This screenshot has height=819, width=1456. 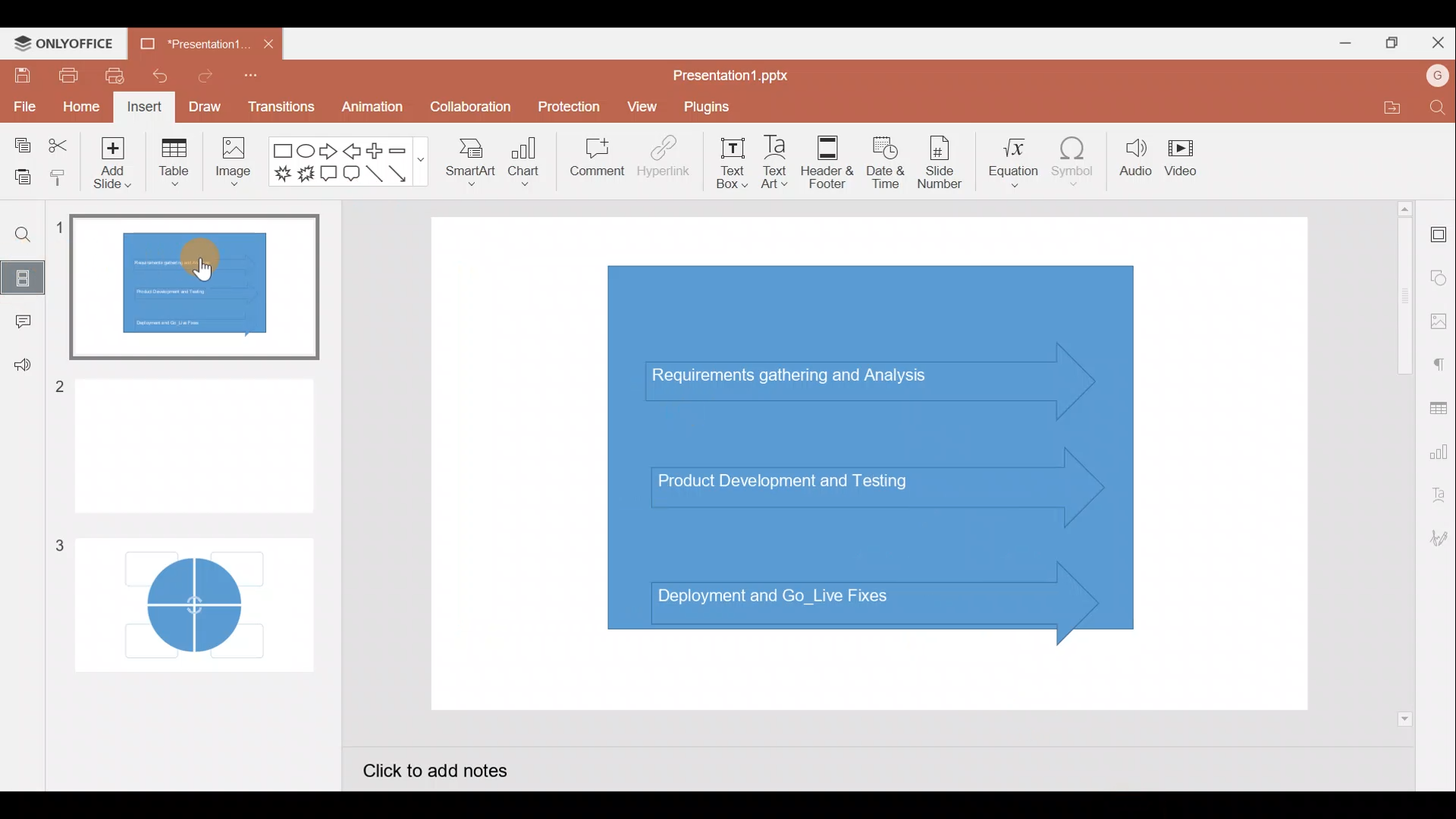 What do you see at coordinates (889, 162) in the screenshot?
I see `Date & time` at bounding box center [889, 162].